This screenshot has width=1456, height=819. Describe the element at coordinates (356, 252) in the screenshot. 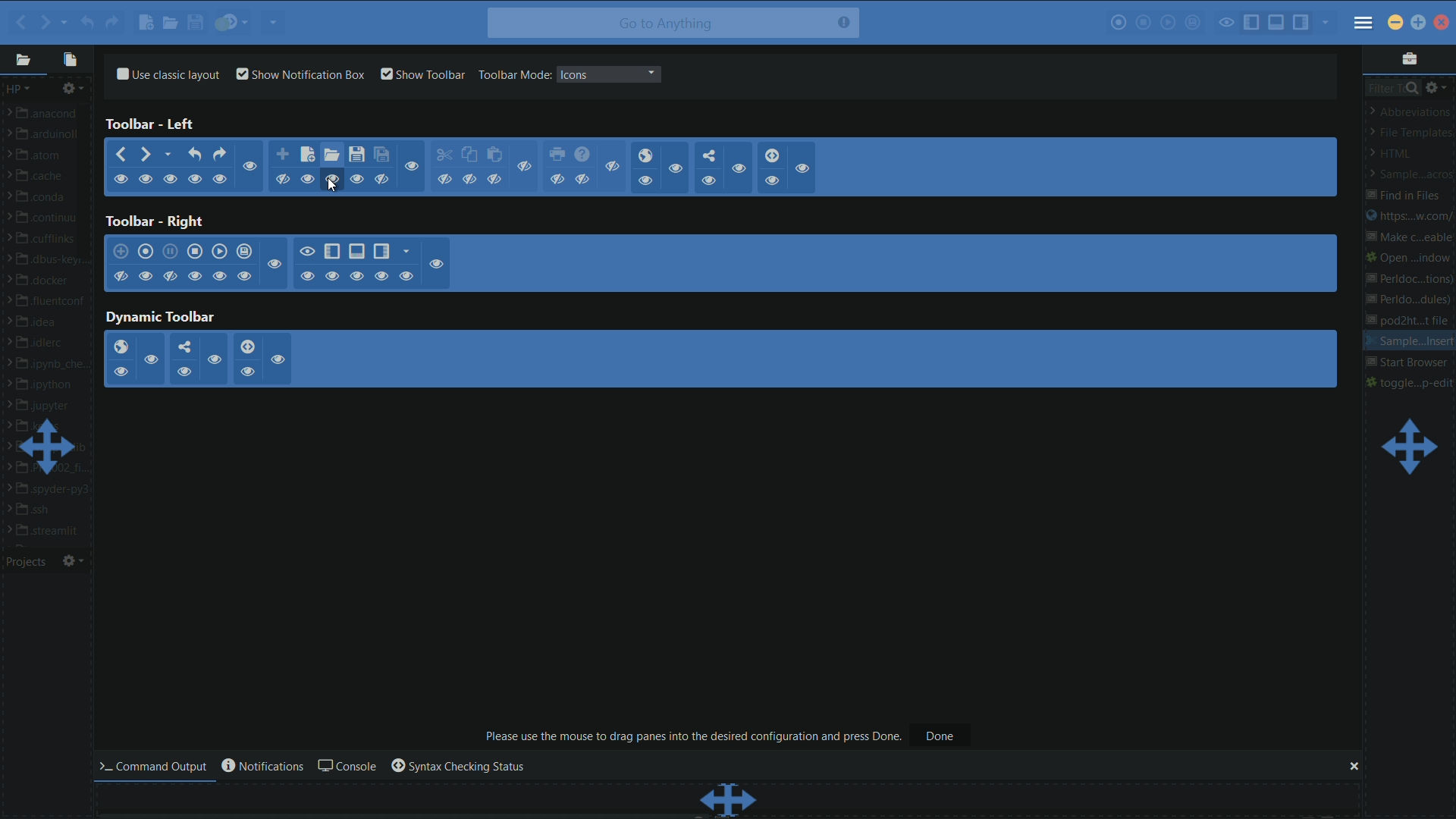

I see `show/hide bottom pane` at that location.